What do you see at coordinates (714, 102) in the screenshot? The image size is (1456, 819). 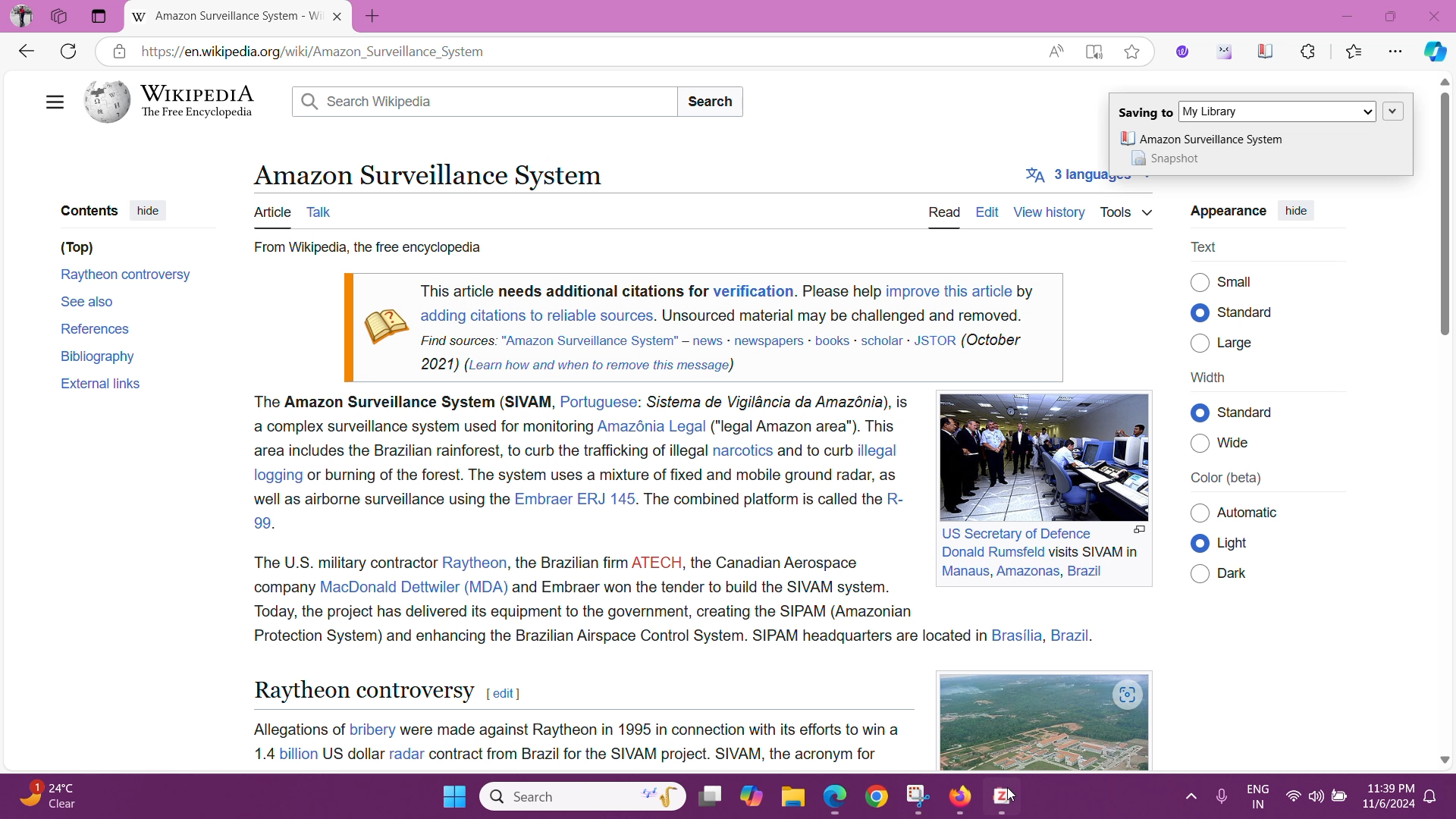 I see `Search` at bounding box center [714, 102].